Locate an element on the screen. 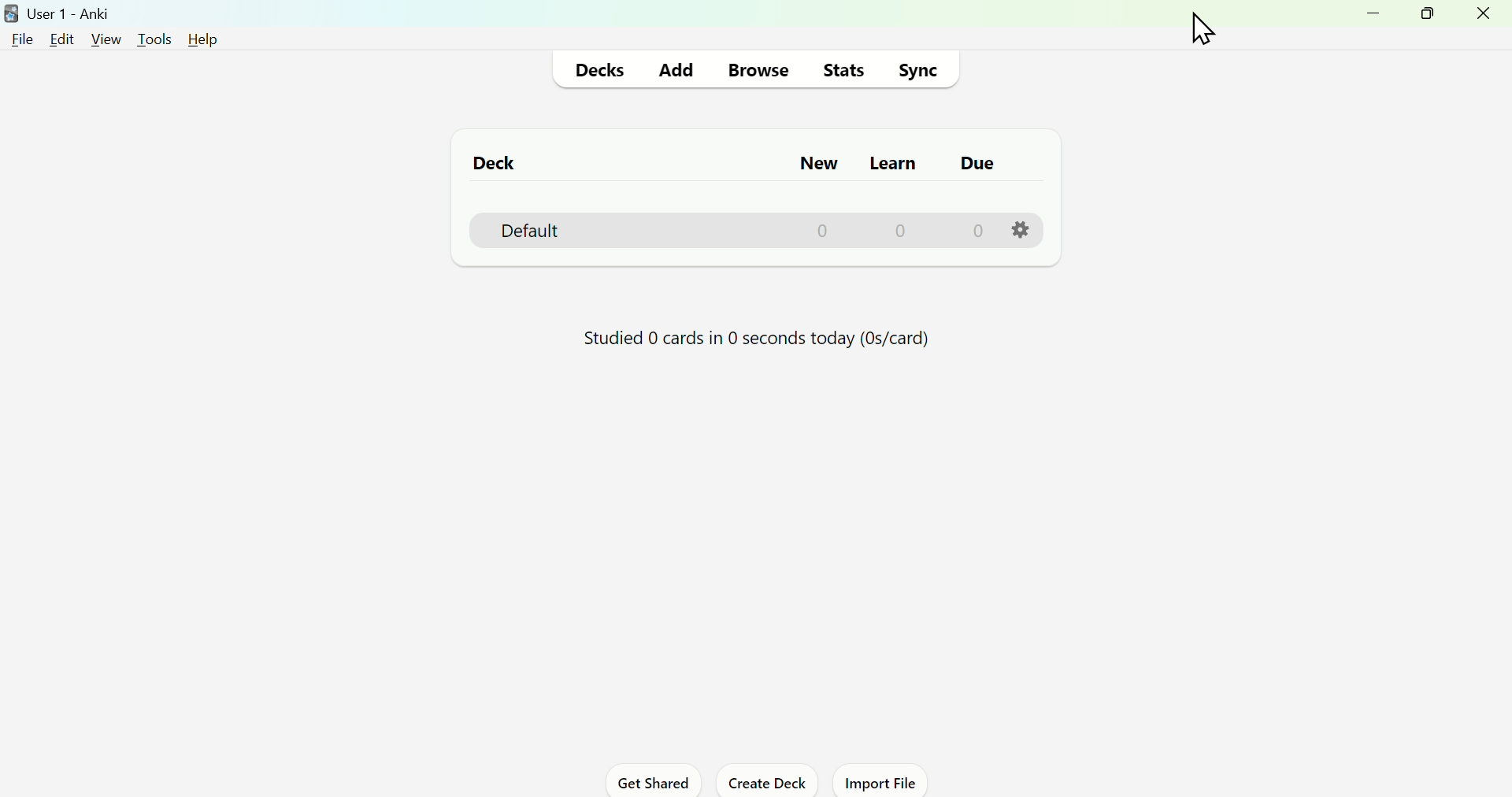 The width and height of the screenshot is (1512, 797). Progress is located at coordinates (748, 338).